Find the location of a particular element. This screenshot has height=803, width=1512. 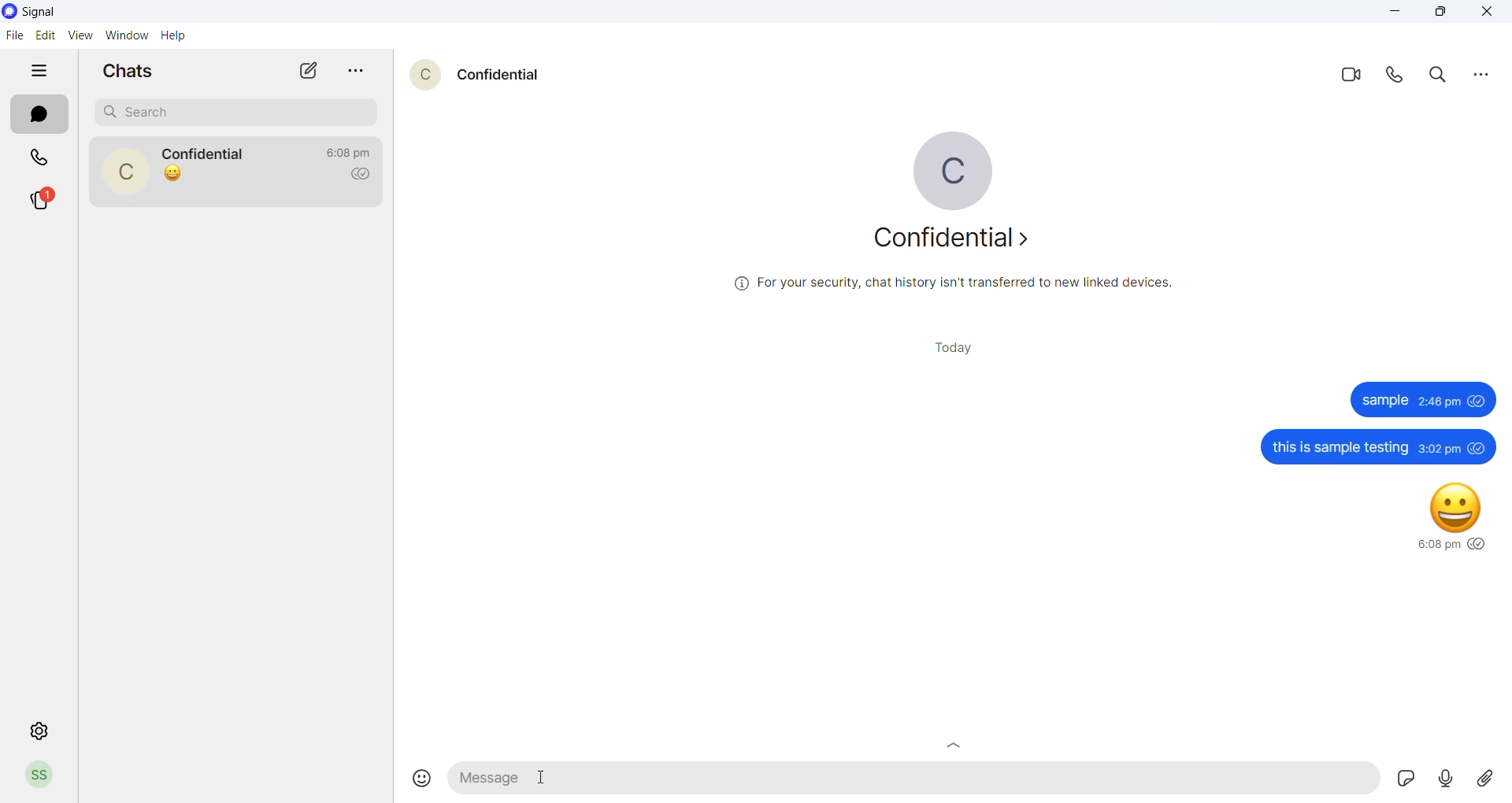

sticker is located at coordinates (1406, 777).